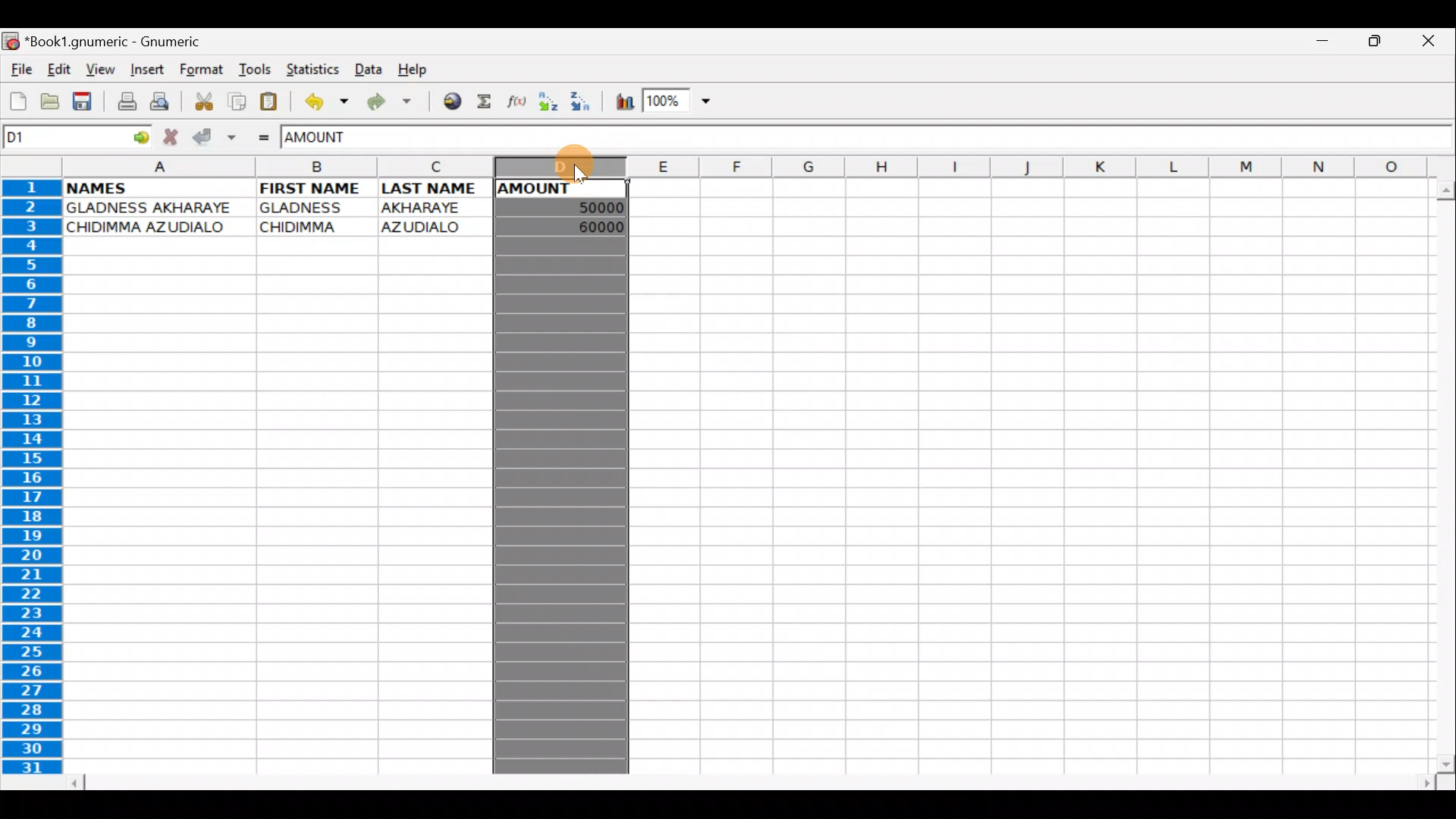  I want to click on Paste clipboard, so click(271, 100).